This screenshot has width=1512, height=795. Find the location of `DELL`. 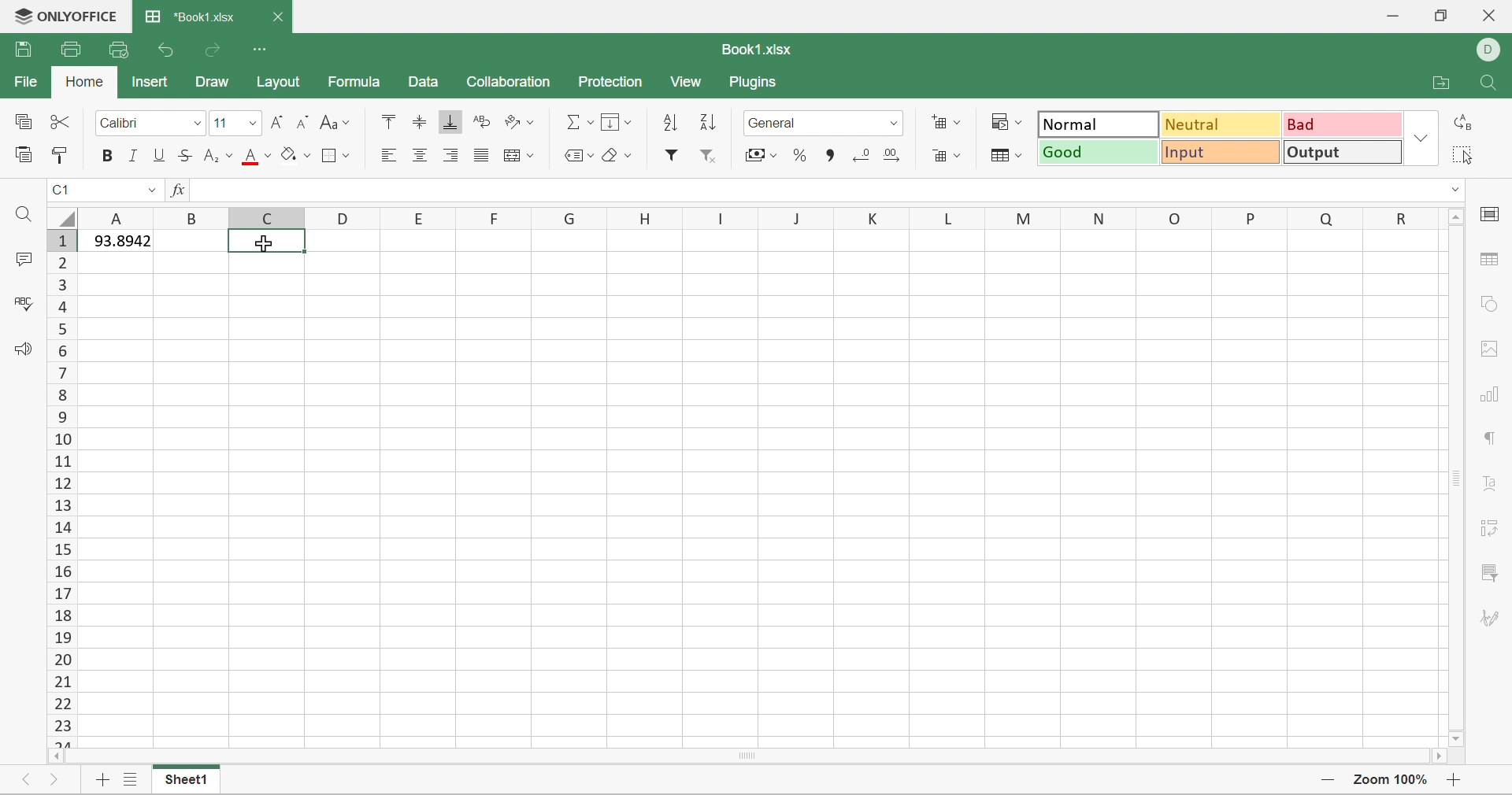

DELL is located at coordinates (1492, 48).